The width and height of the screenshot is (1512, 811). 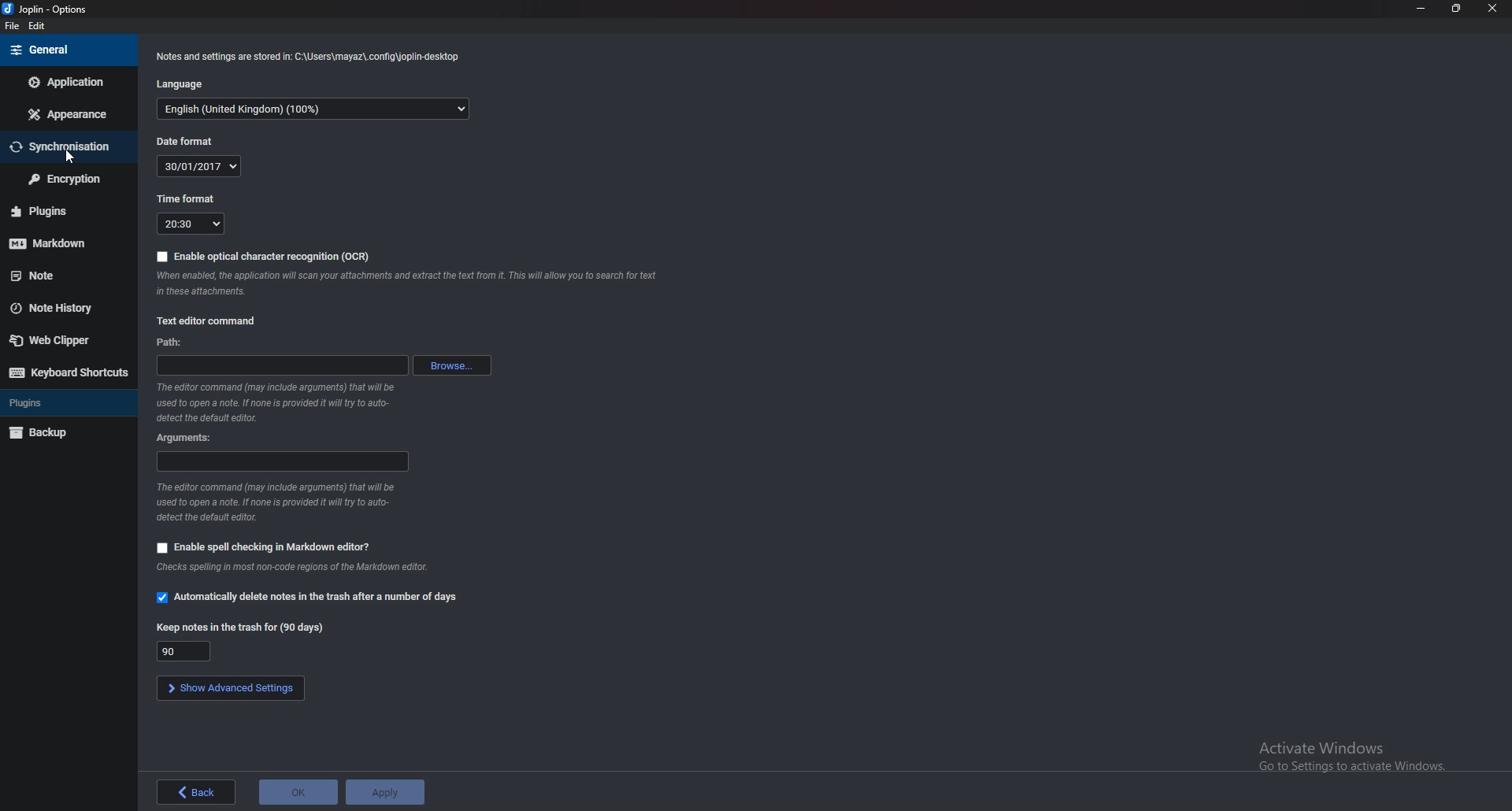 I want to click on info, so click(x=308, y=55).